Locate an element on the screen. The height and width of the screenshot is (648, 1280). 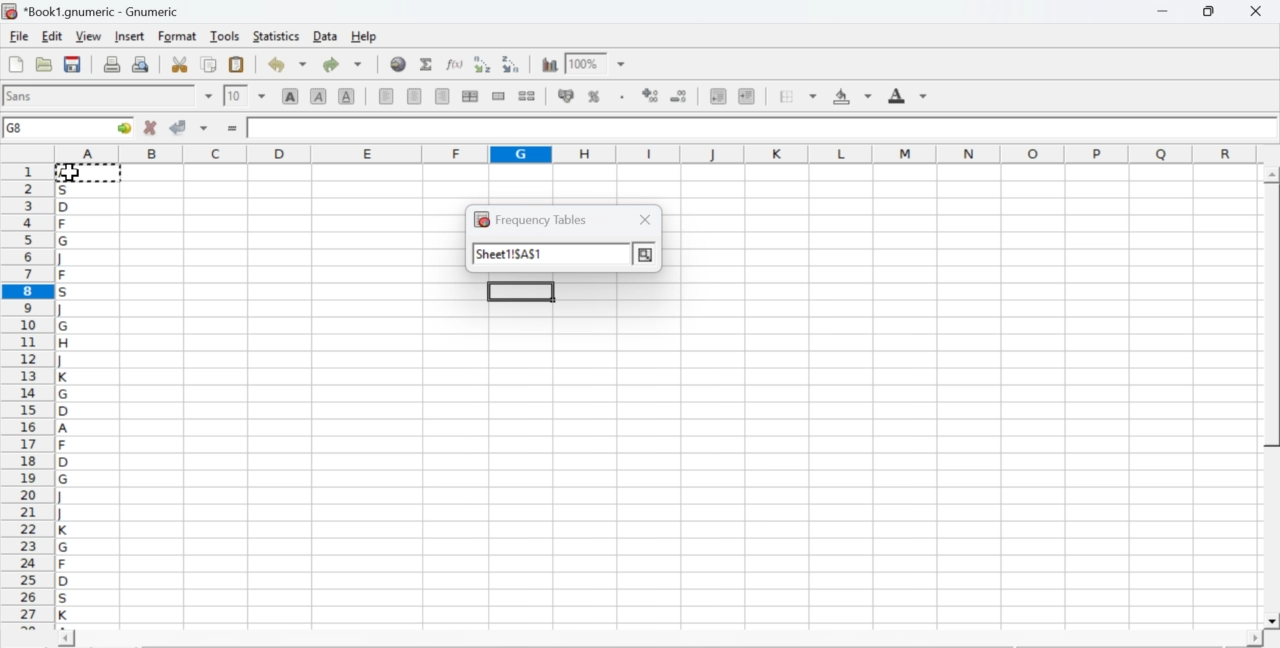
close is located at coordinates (1254, 11).